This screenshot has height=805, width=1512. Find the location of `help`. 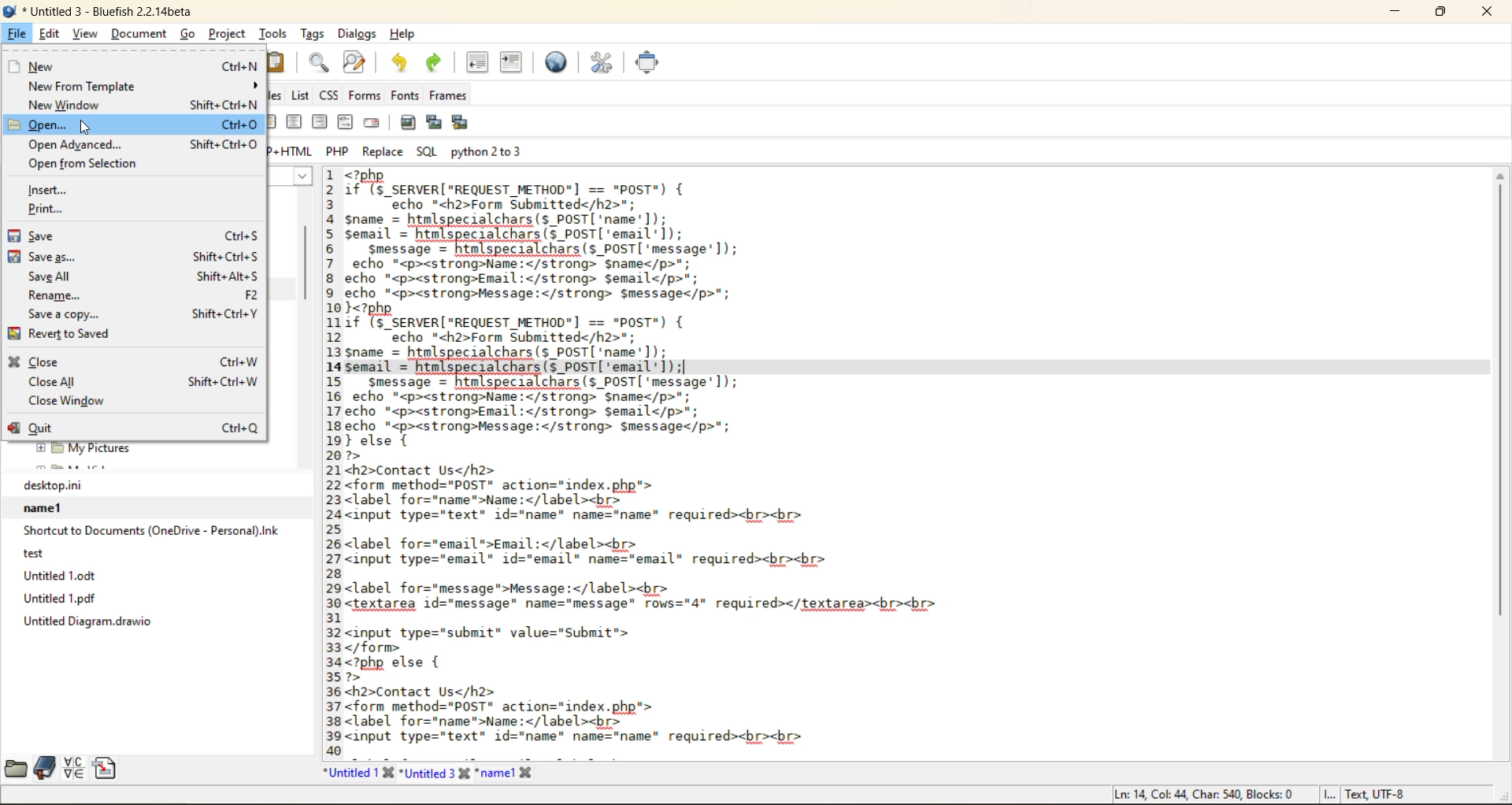

help is located at coordinates (402, 34).